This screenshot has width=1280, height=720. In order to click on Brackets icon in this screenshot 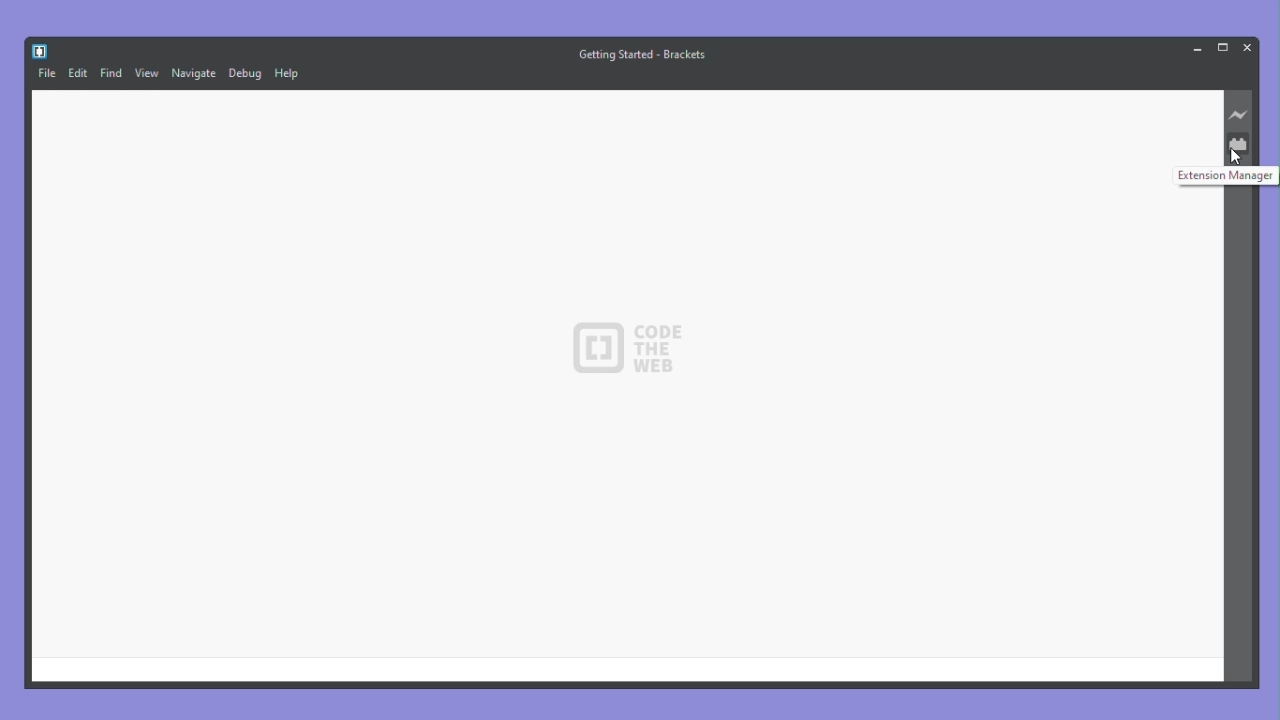, I will do `click(41, 52)`.